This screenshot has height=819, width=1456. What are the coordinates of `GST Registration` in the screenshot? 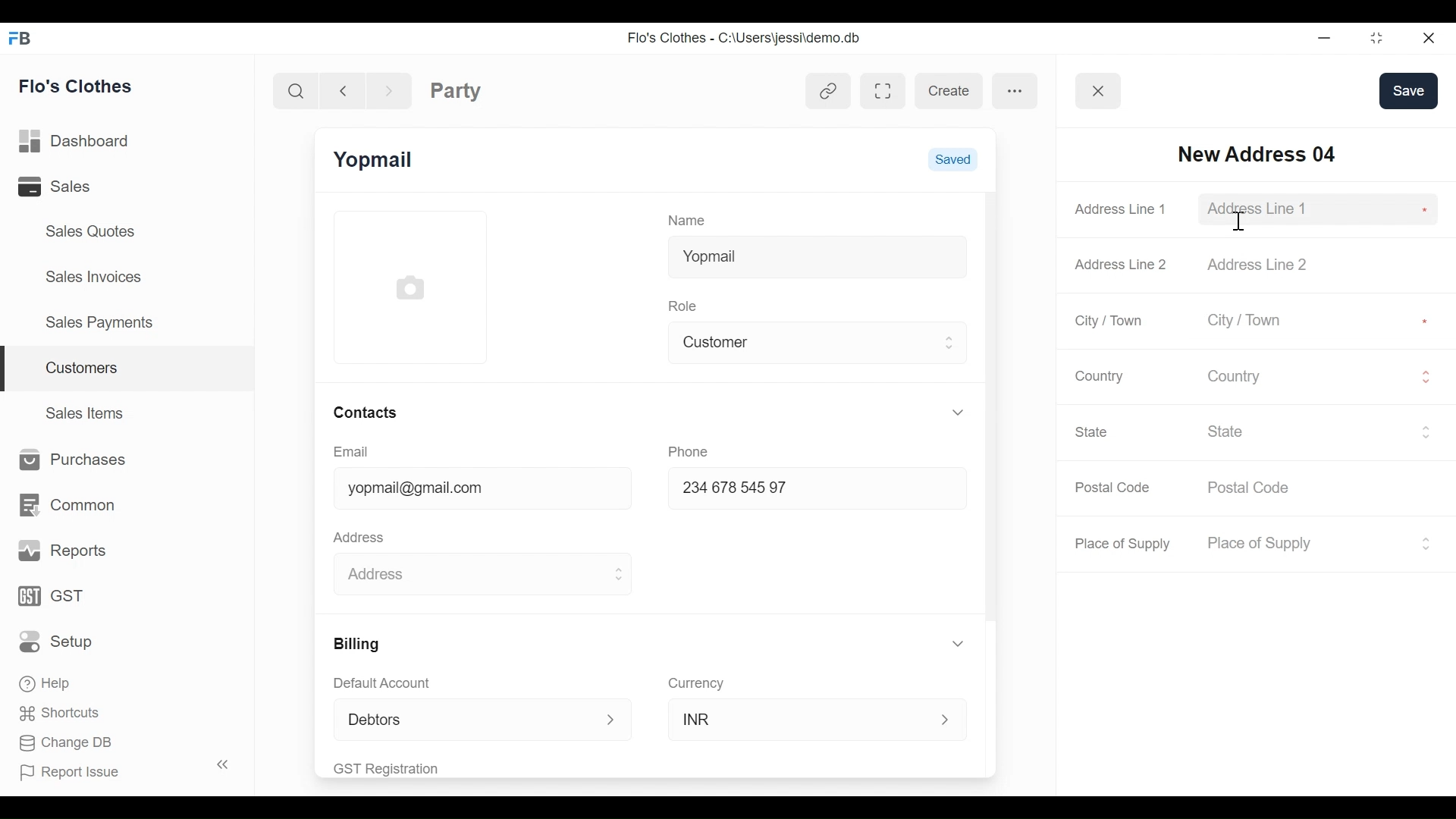 It's located at (405, 768).